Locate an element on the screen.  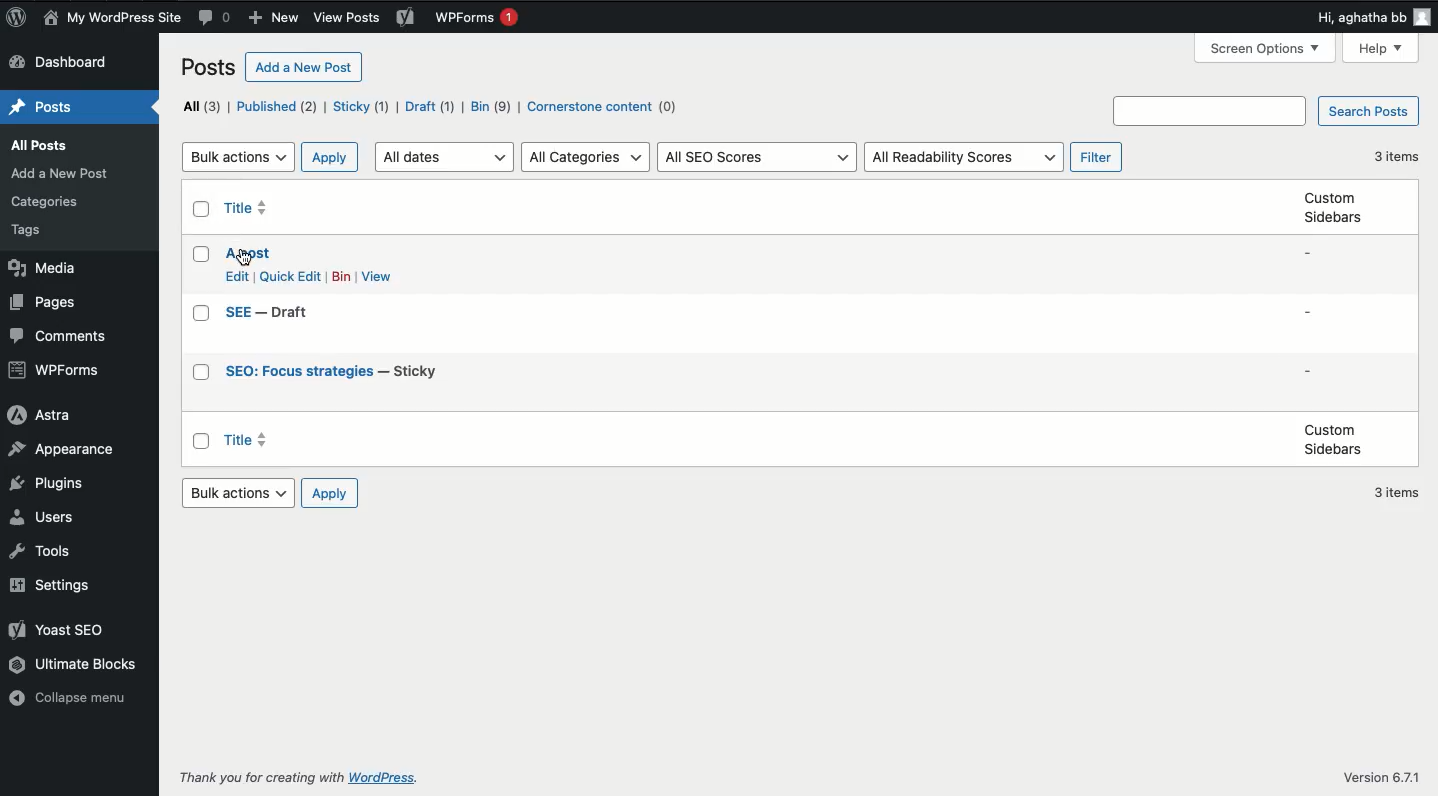
Custom sidebars is located at coordinates (1325, 438).